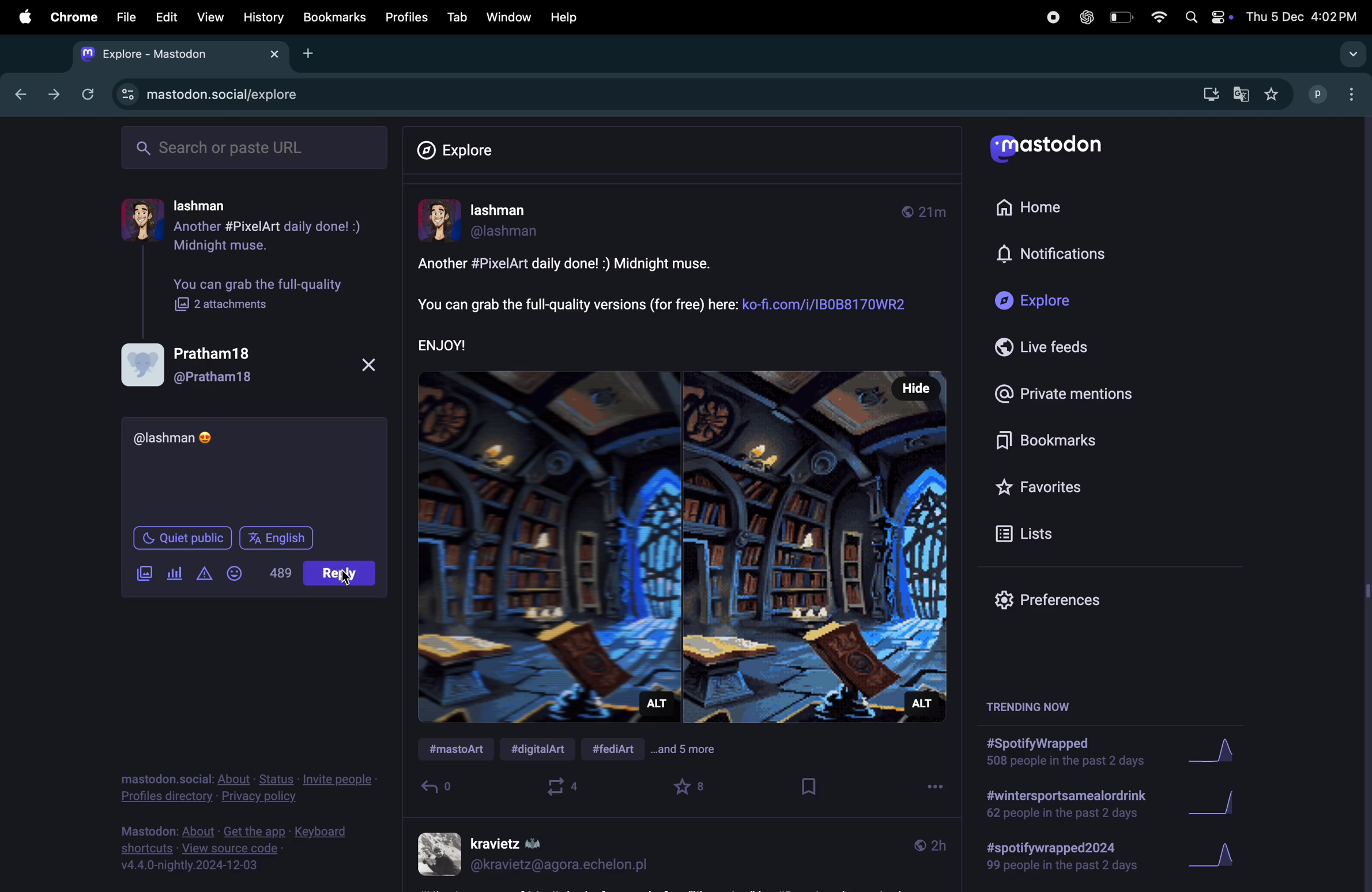 The width and height of the screenshot is (1372, 892). What do you see at coordinates (263, 294) in the screenshot?
I see `you can grab full quality image` at bounding box center [263, 294].